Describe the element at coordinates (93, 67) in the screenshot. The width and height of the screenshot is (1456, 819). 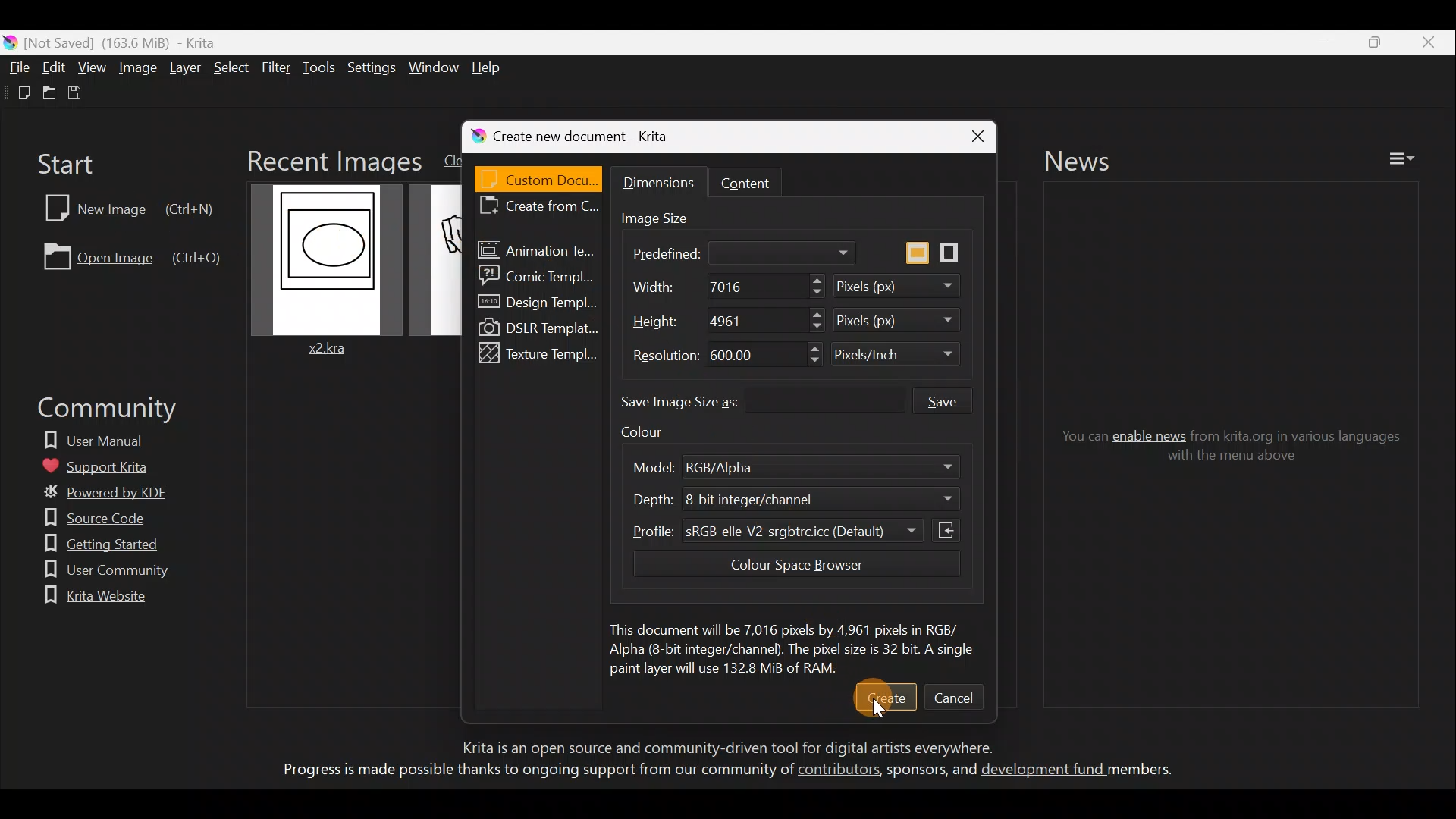
I see `View` at that location.